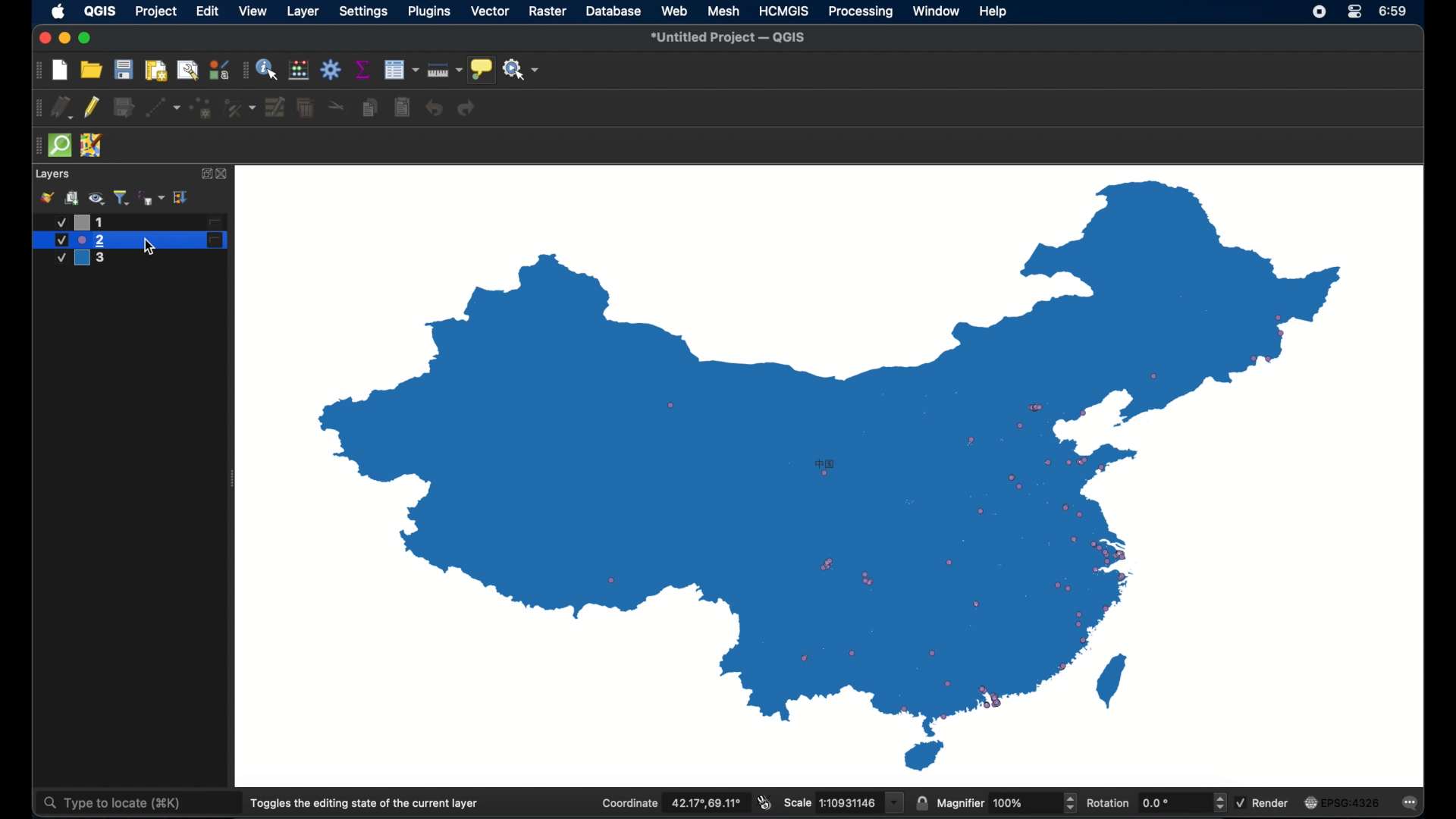 This screenshot has width=1456, height=819. I want to click on add group, so click(73, 197).